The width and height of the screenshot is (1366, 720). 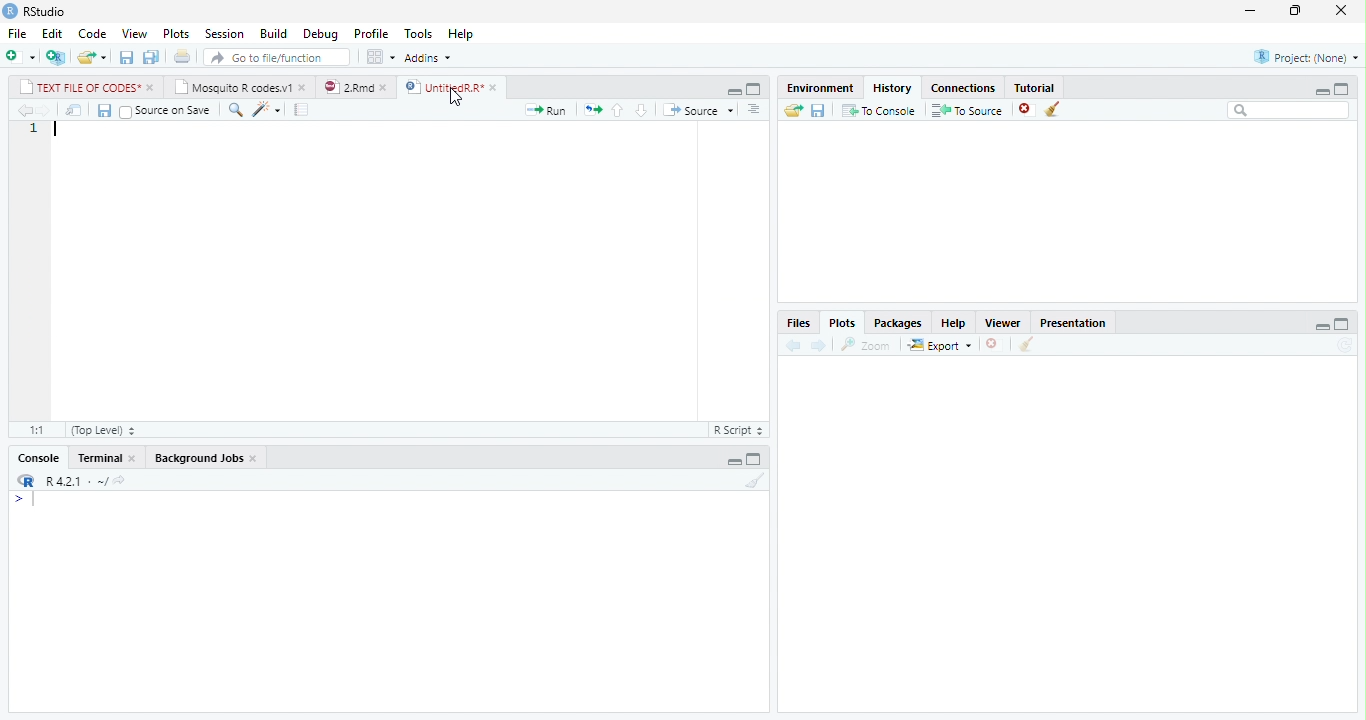 I want to click on refresh, so click(x=1345, y=345).